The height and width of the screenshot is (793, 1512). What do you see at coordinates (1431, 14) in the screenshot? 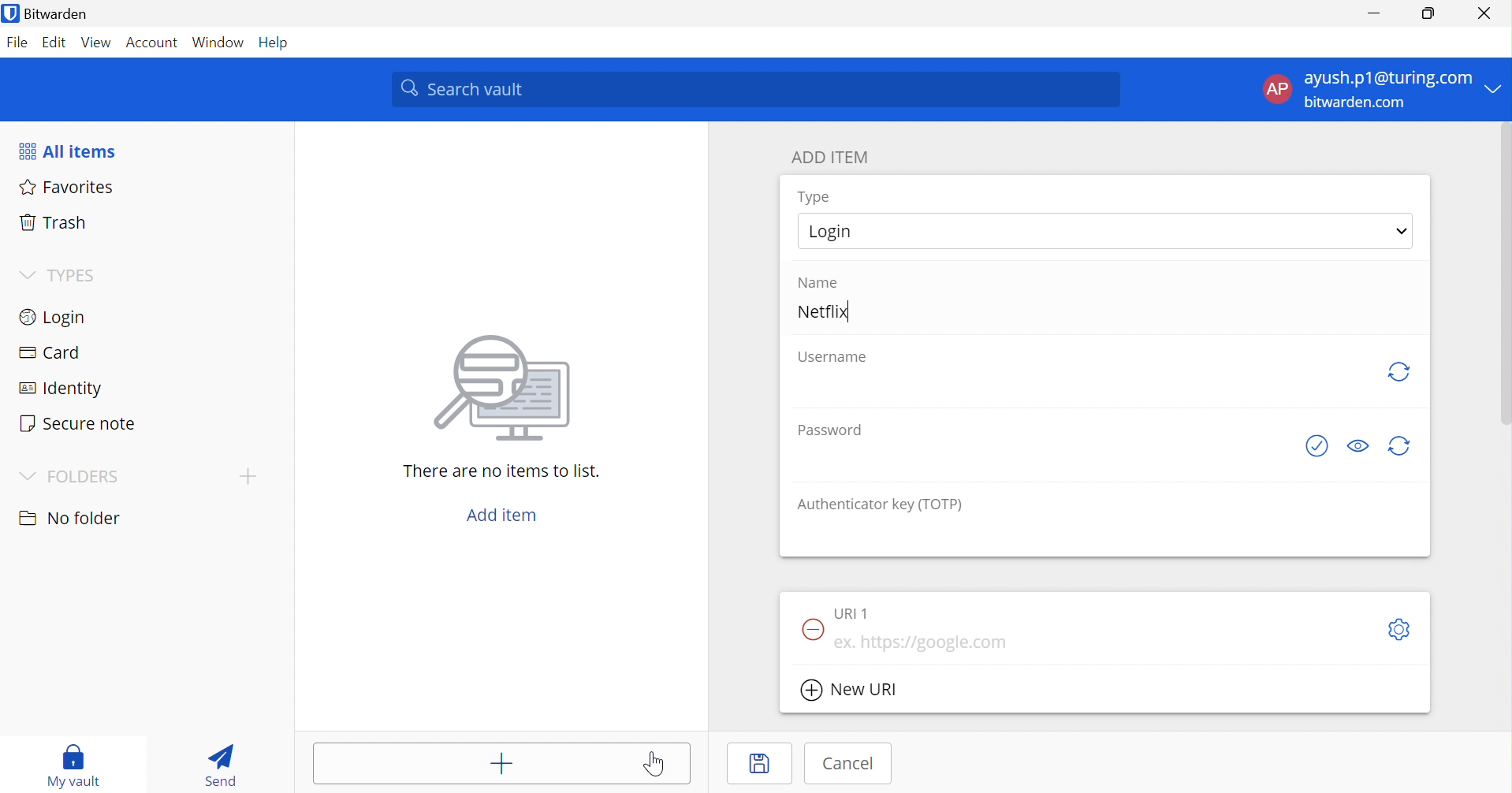
I see `Restore down` at bounding box center [1431, 14].